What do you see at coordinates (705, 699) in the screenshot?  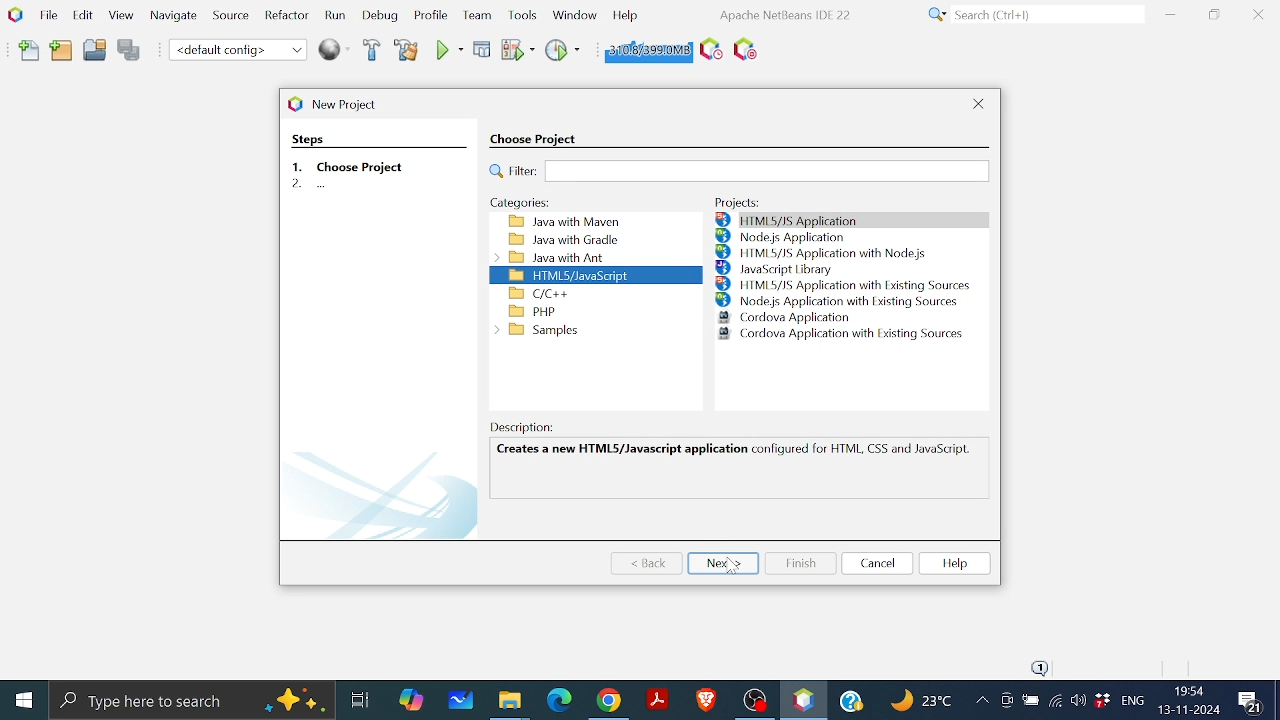 I see `Brave Browser` at bounding box center [705, 699].